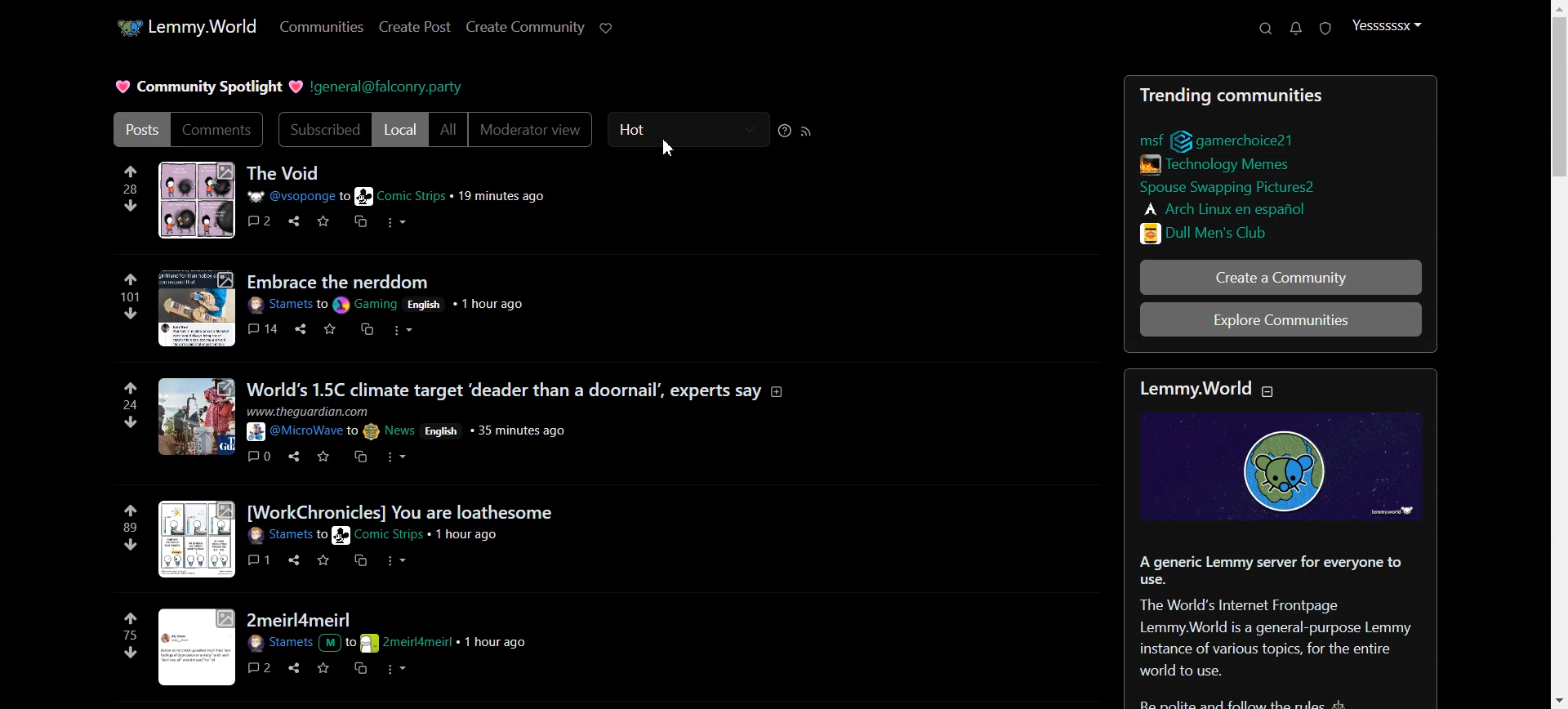 The image size is (1568, 709). I want to click on upvote, so click(134, 618).